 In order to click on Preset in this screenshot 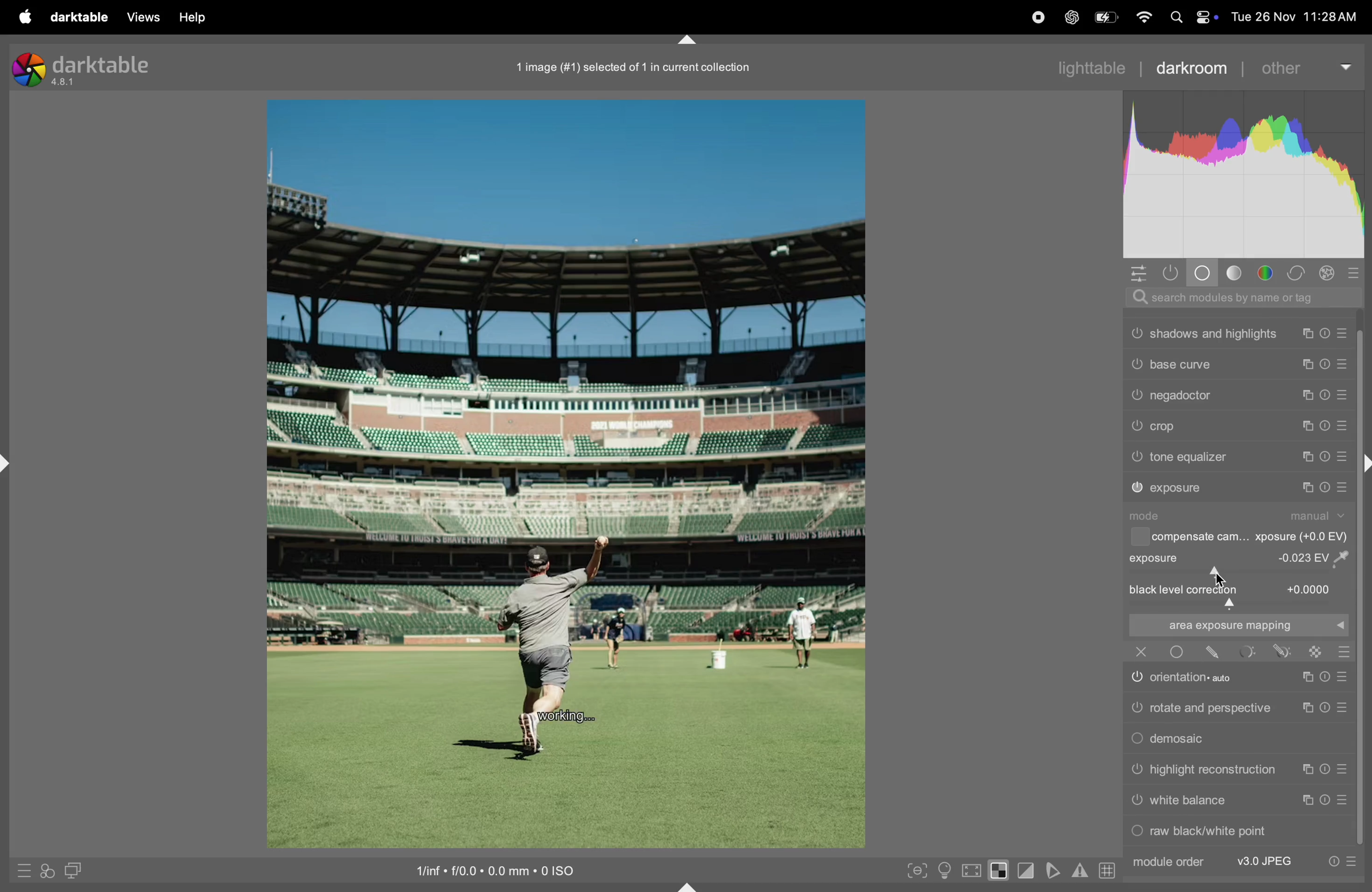, I will do `click(1344, 707)`.